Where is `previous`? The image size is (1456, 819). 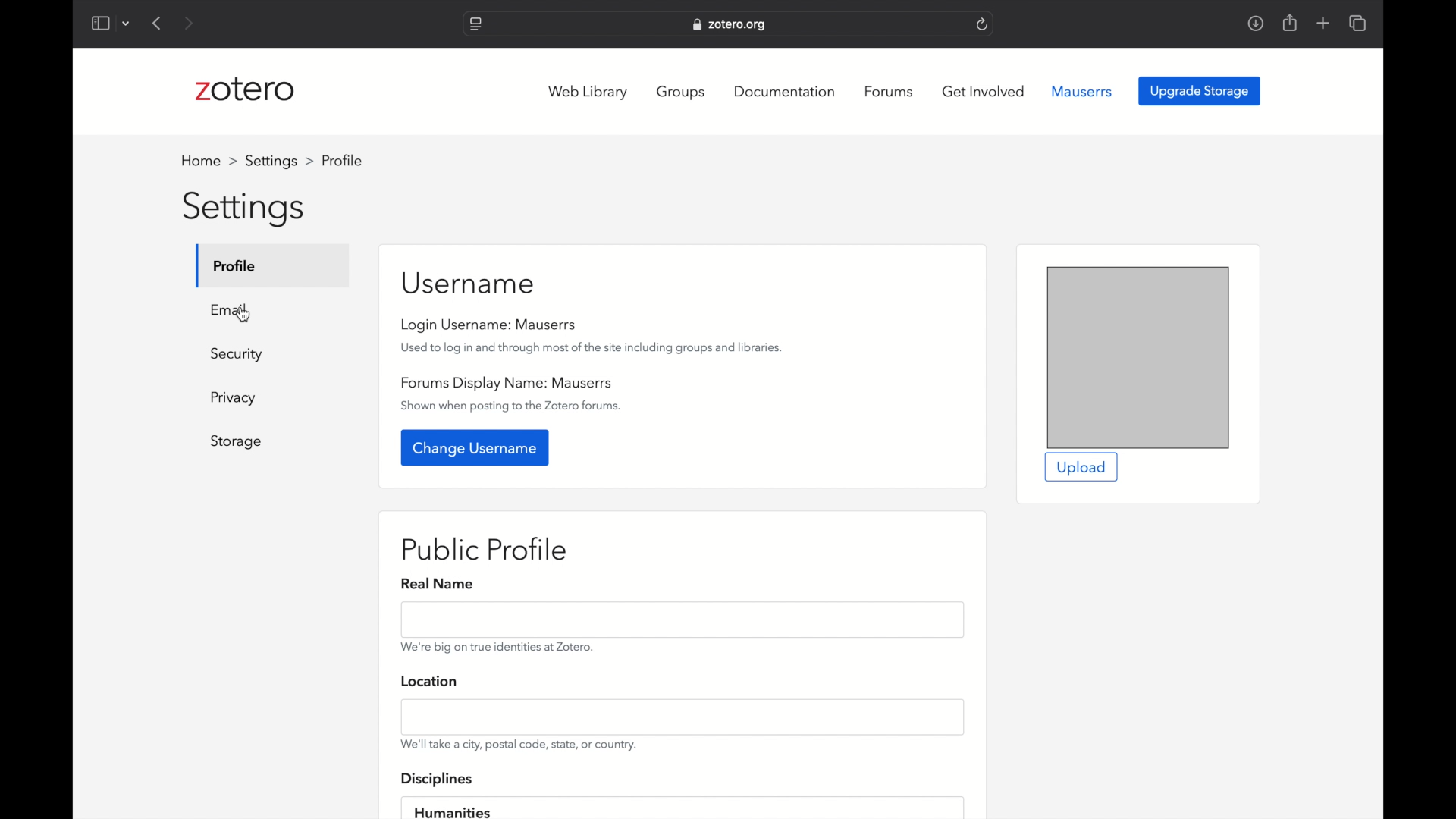 previous is located at coordinates (158, 23).